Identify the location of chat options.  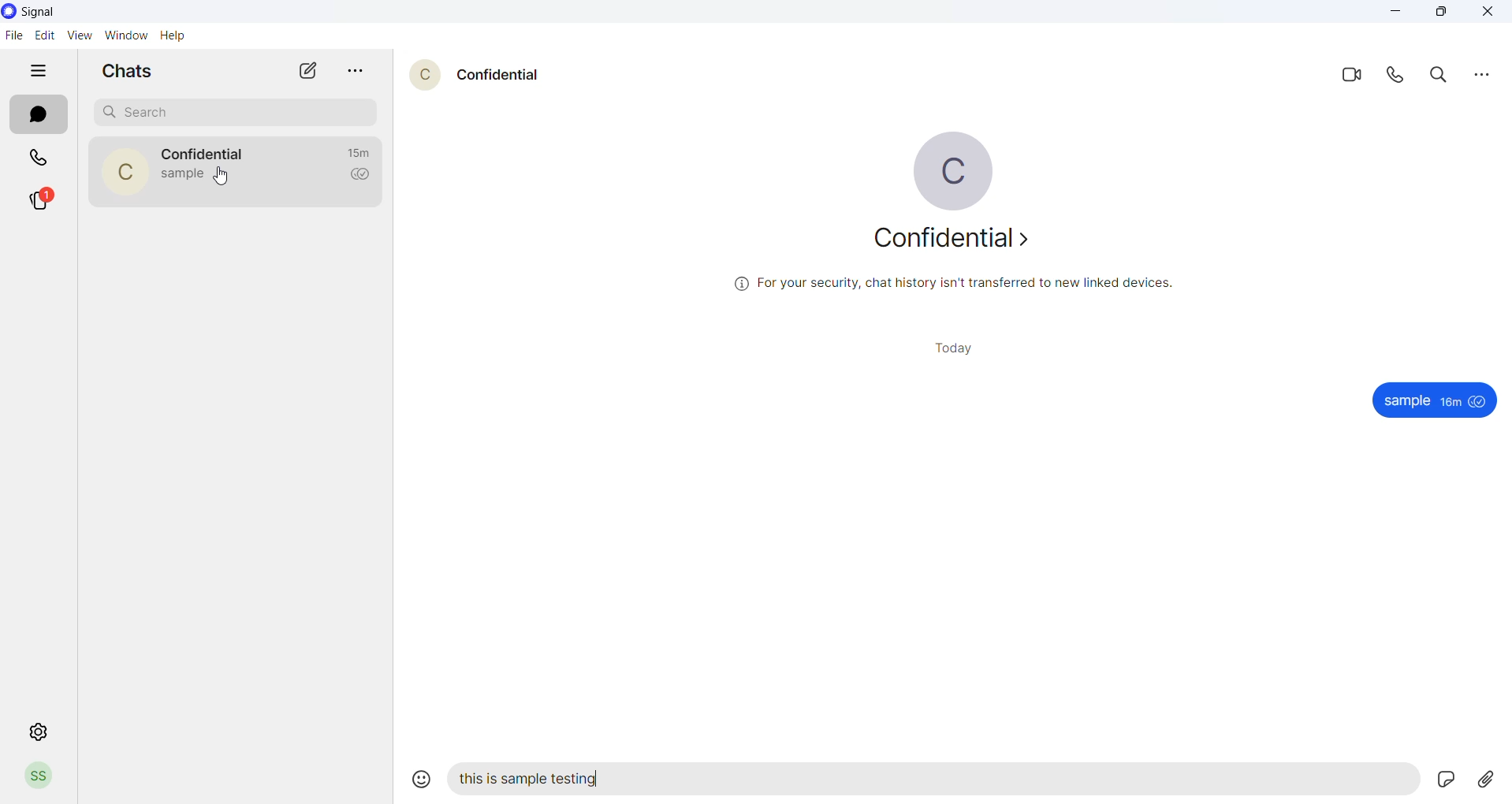
(351, 71).